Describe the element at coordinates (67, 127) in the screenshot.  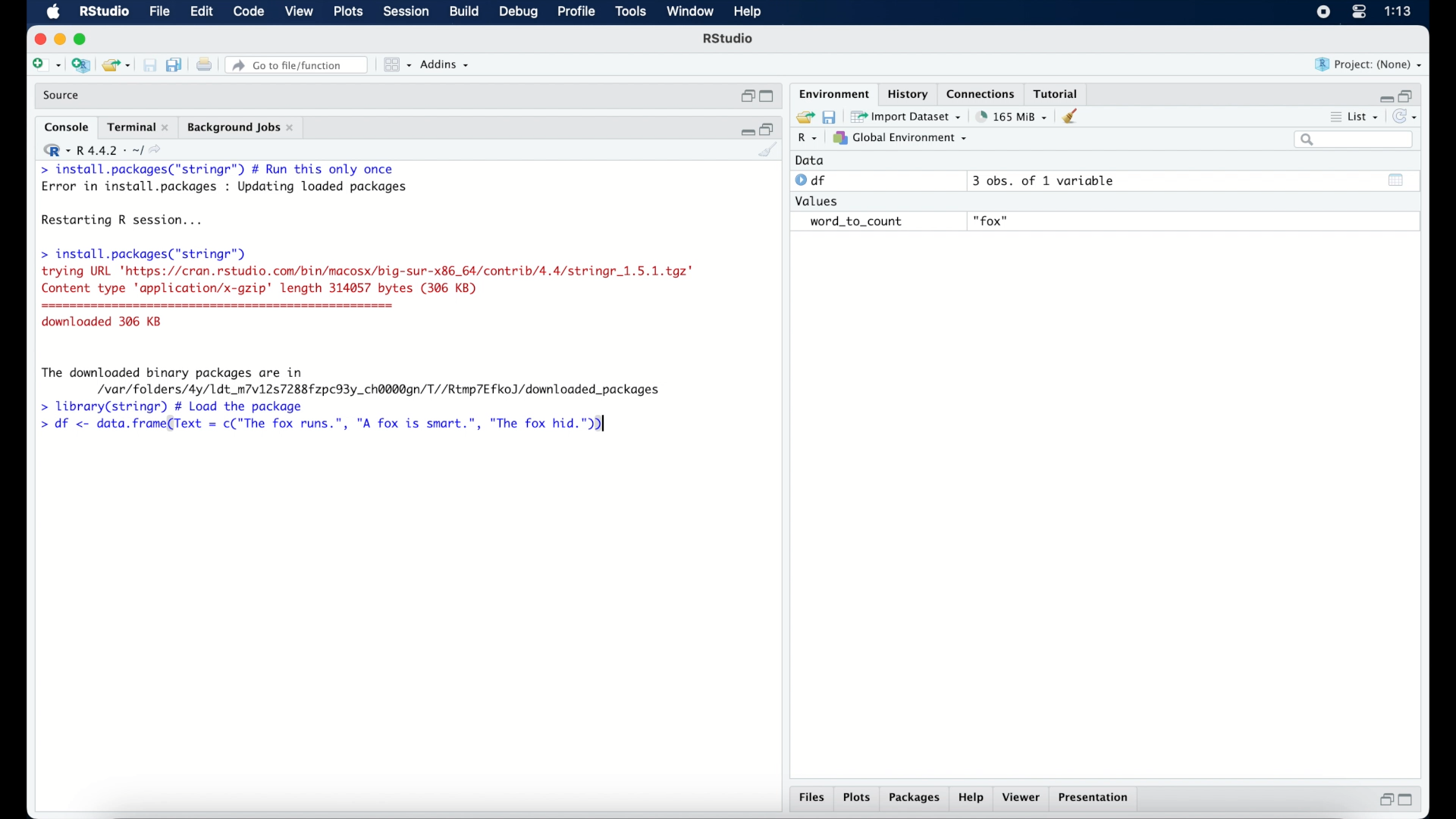
I see `console` at that location.